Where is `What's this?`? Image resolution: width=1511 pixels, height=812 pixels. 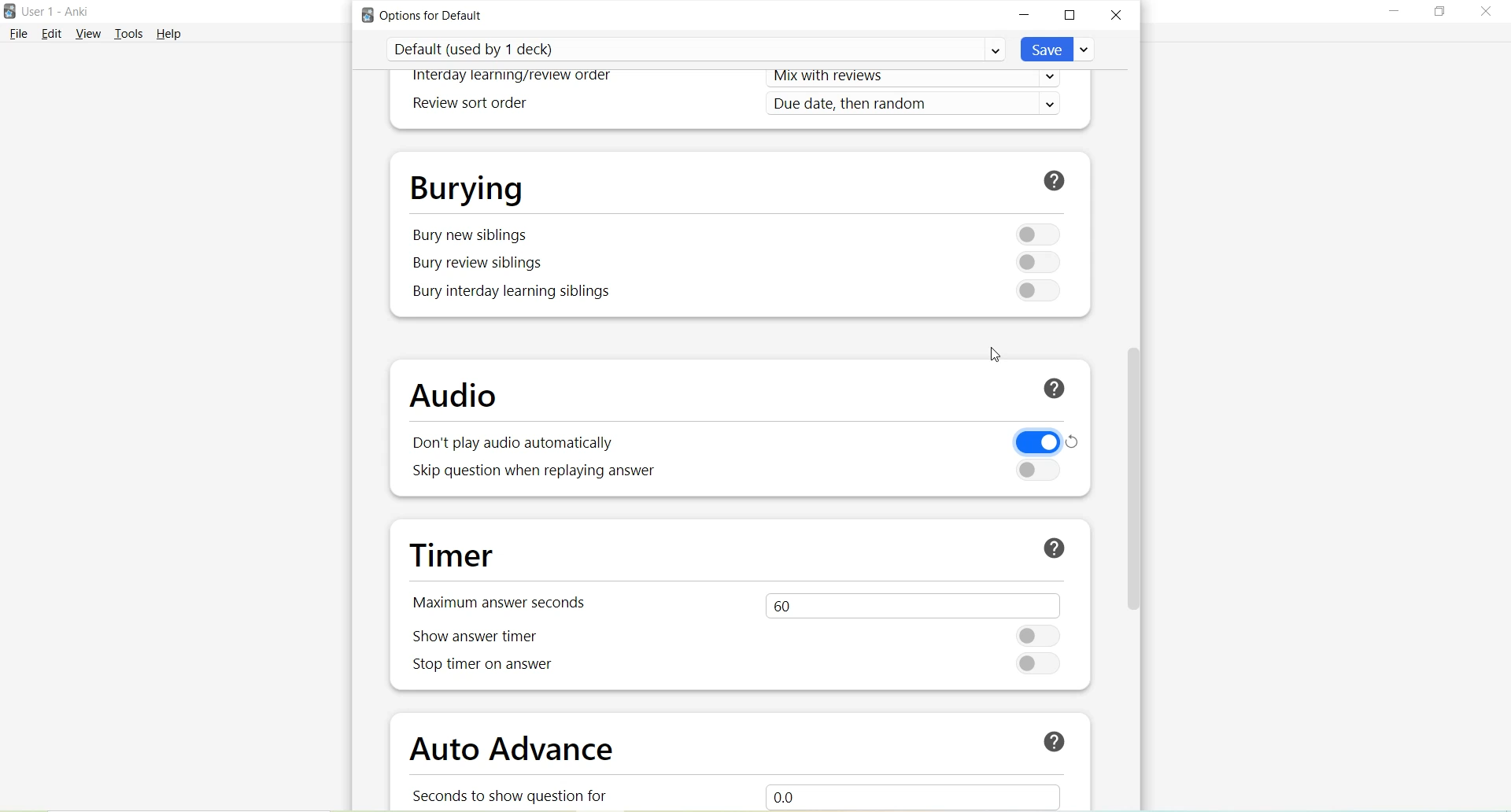
What's this? is located at coordinates (1051, 390).